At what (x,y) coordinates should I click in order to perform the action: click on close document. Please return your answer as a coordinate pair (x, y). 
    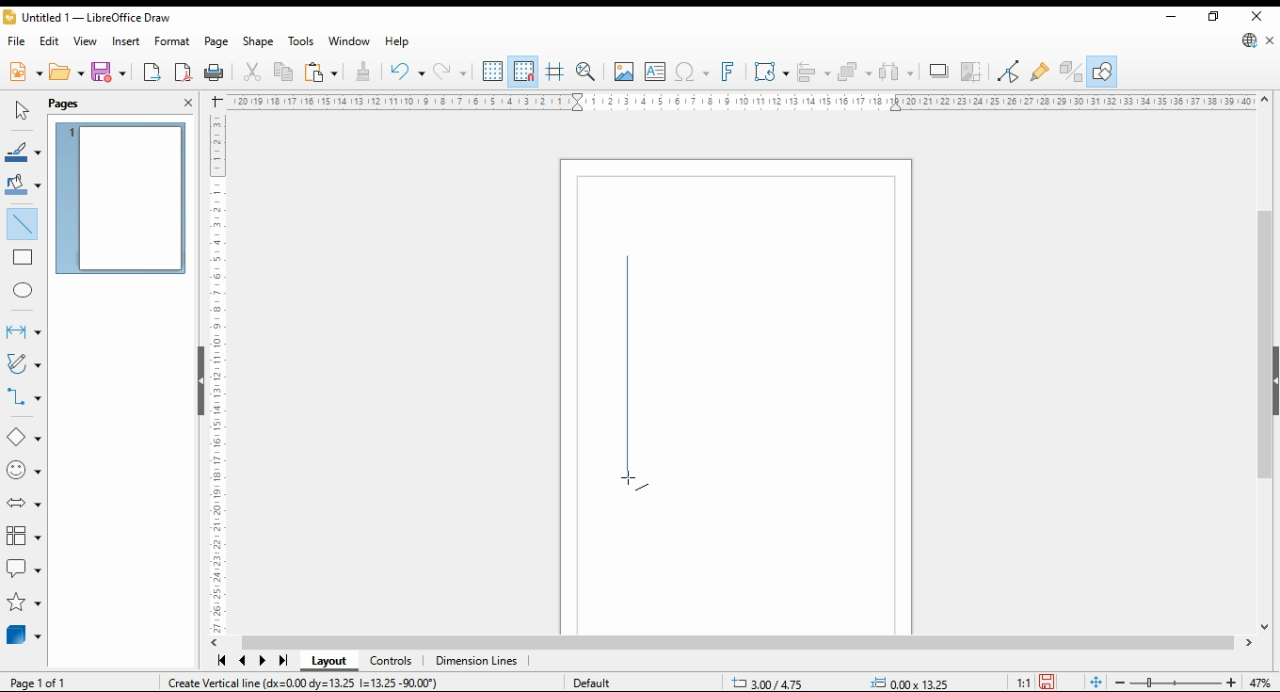
    Looking at the image, I should click on (1270, 41).